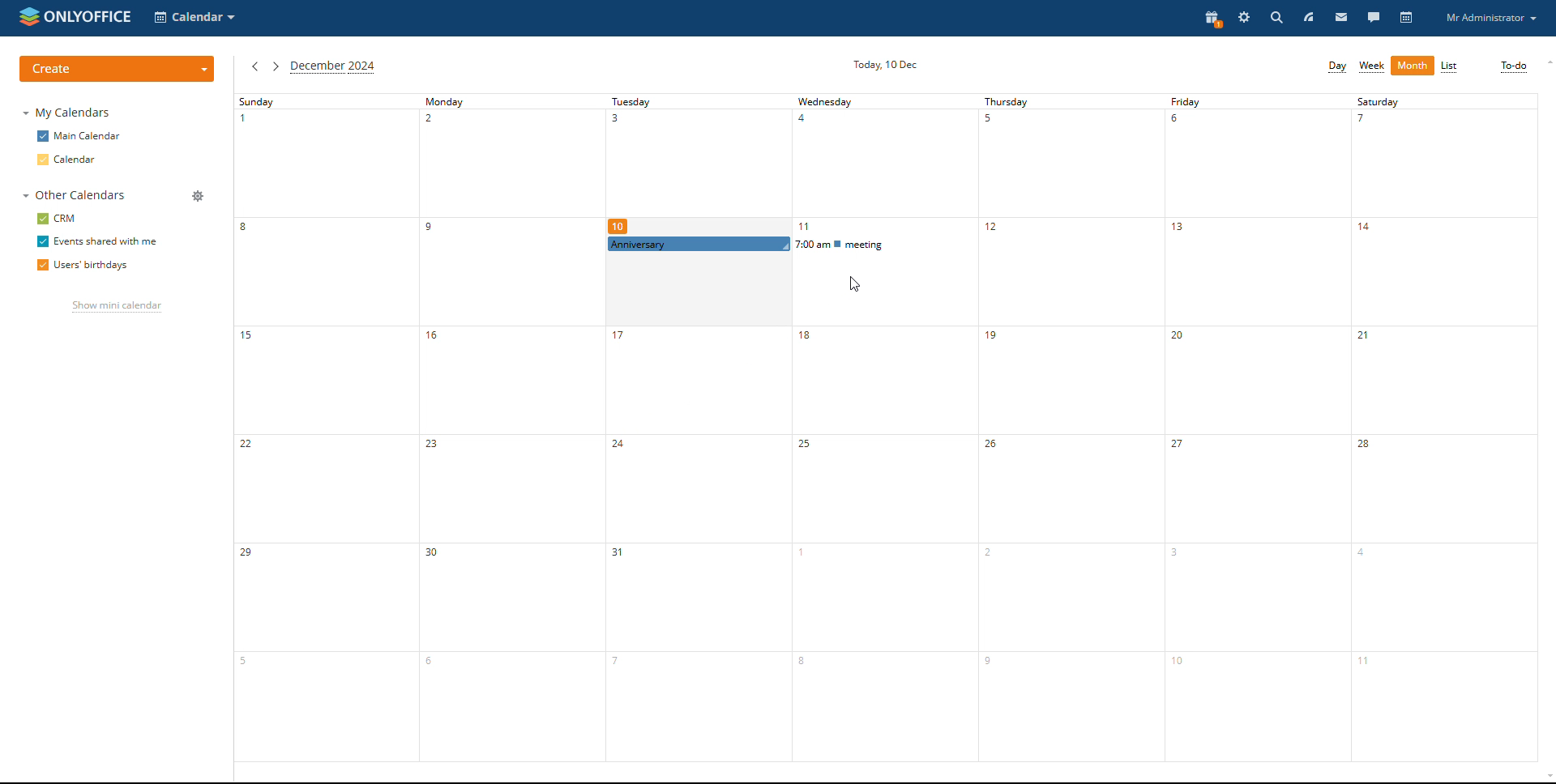 This screenshot has width=1556, height=784. What do you see at coordinates (74, 195) in the screenshot?
I see `other calendars` at bounding box center [74, 195].